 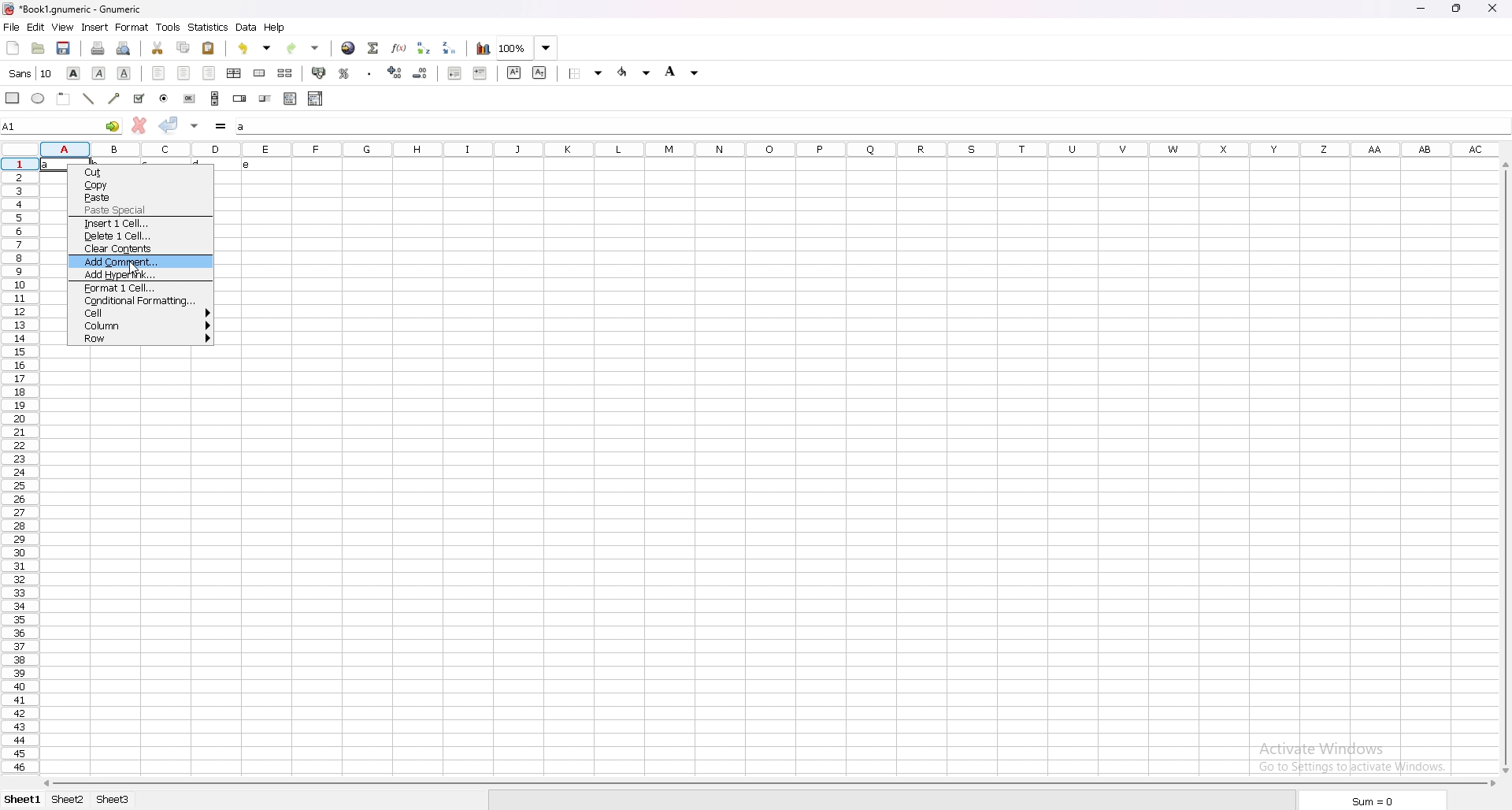 What do you see at coordinates (1374, 801) in the screenshot?
I see `sum` at bounding box center [1374, 801].